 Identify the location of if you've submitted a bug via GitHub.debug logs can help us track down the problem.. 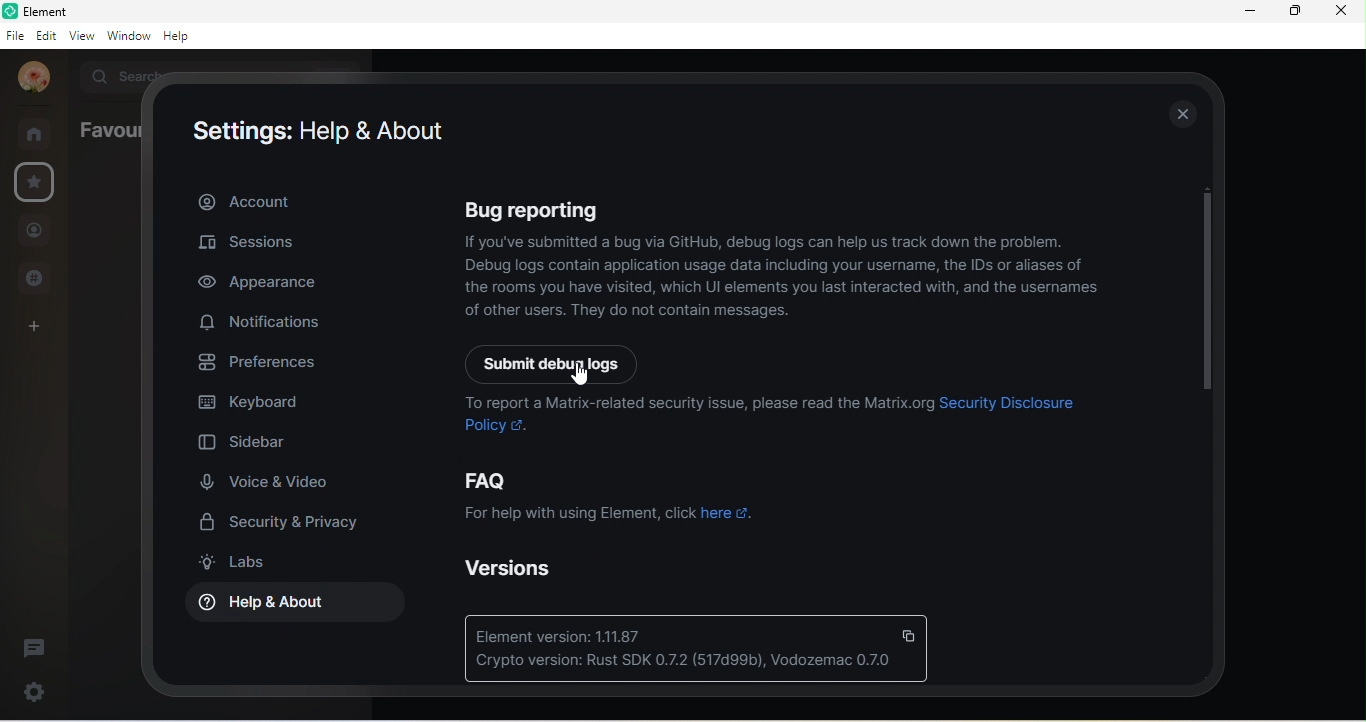
(770, 242).